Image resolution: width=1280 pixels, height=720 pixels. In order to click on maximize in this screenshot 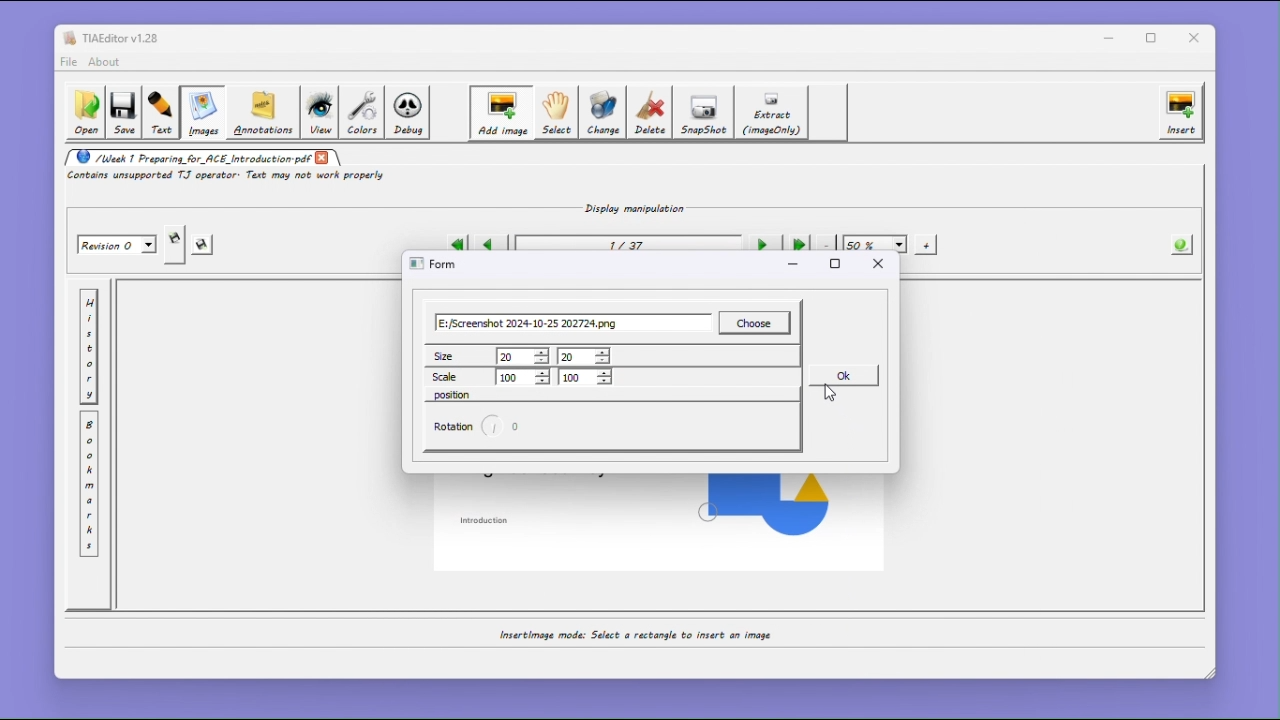, I will do `click(835, 264)`.